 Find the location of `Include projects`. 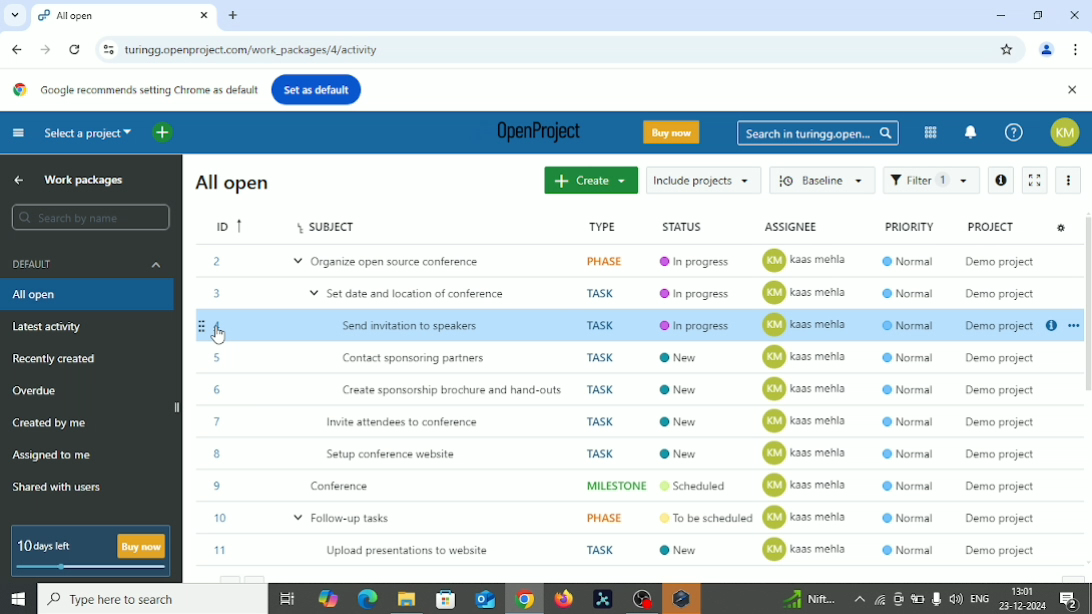

Include projects is located at coordinates (703, 180).